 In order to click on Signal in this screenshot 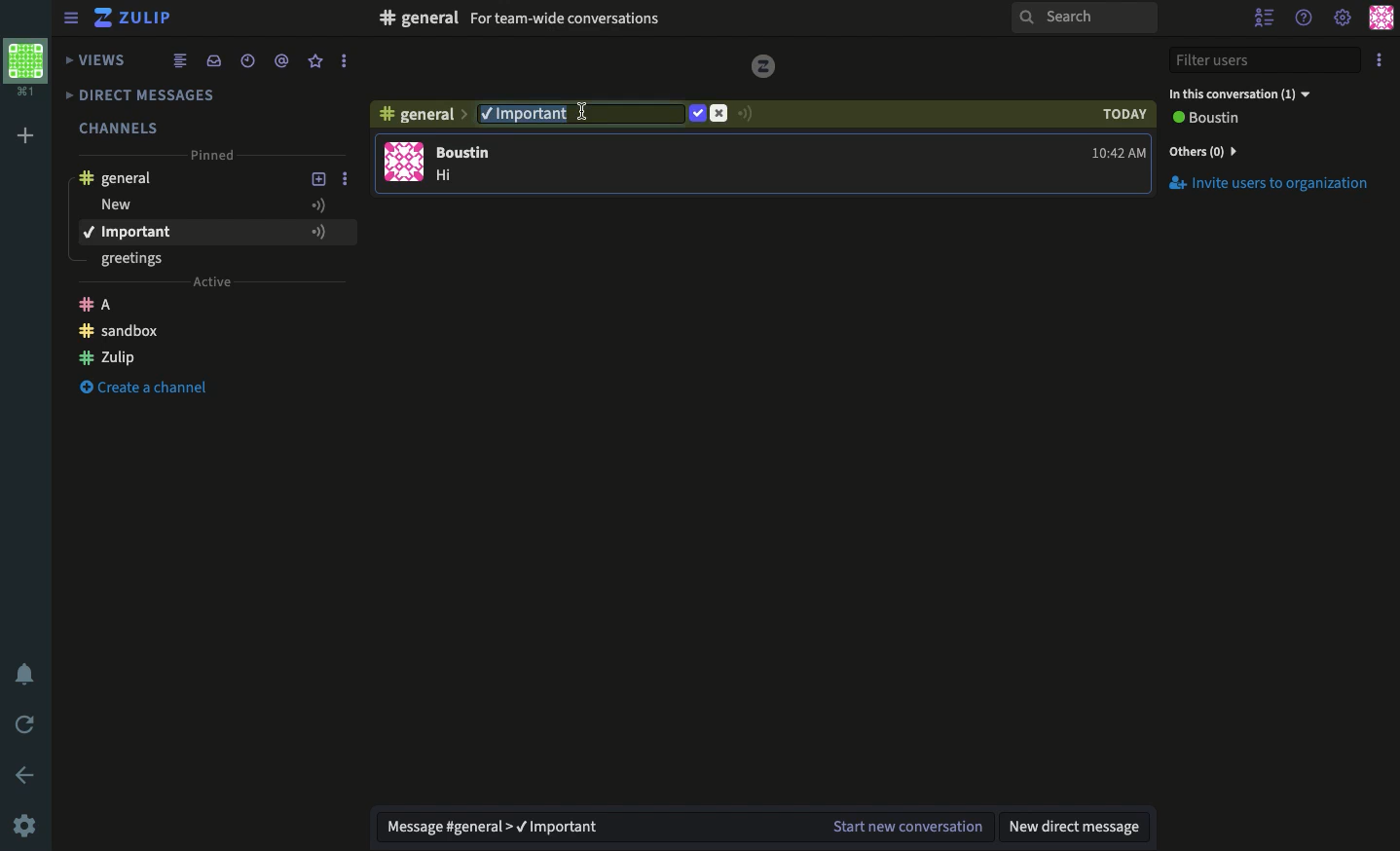, I will do `click(746, 114)`.